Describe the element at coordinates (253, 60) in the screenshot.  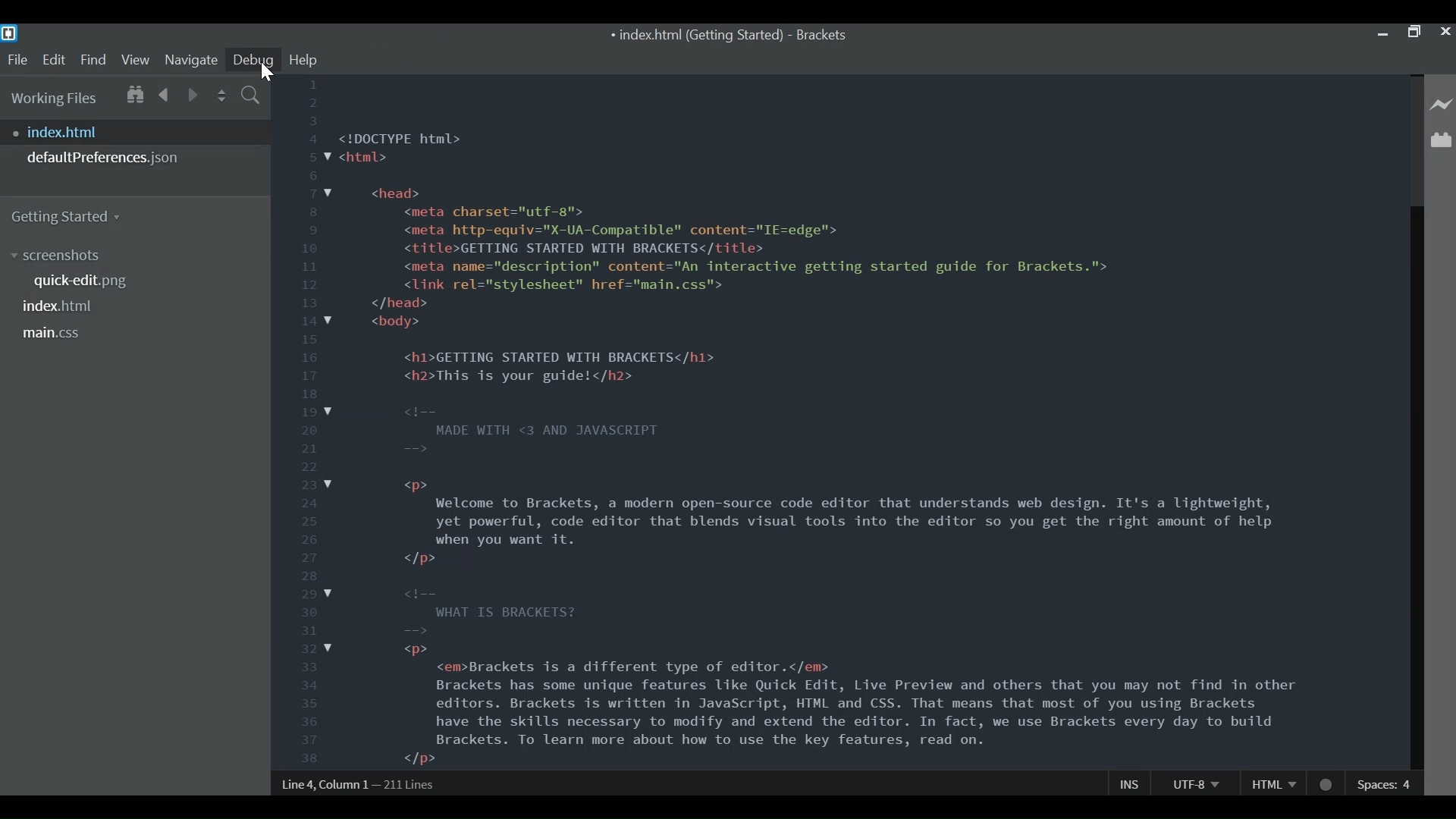
I see `Debug` at that location.